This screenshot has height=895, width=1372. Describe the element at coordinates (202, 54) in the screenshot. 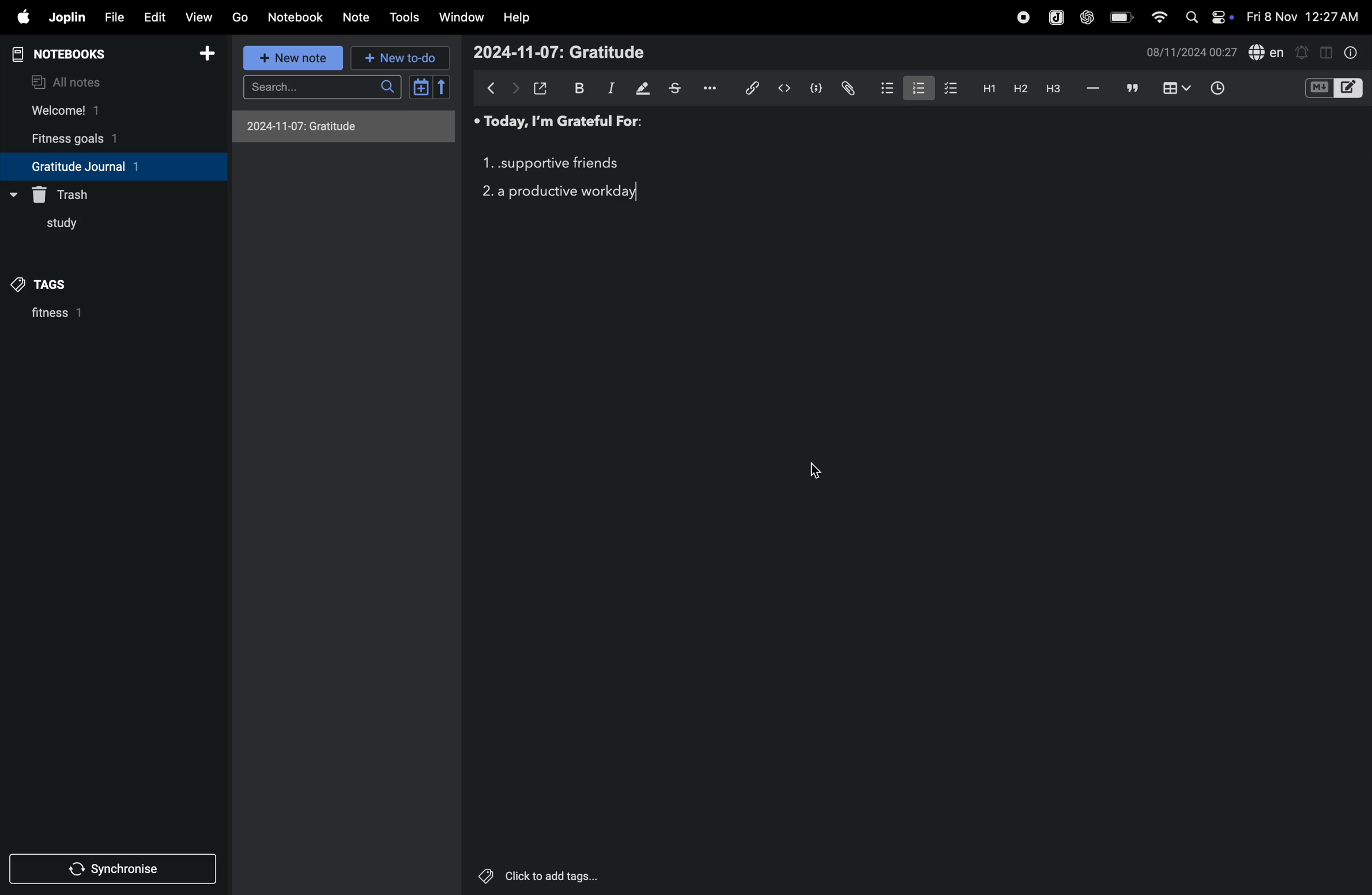

I see `add notebook` at that location.